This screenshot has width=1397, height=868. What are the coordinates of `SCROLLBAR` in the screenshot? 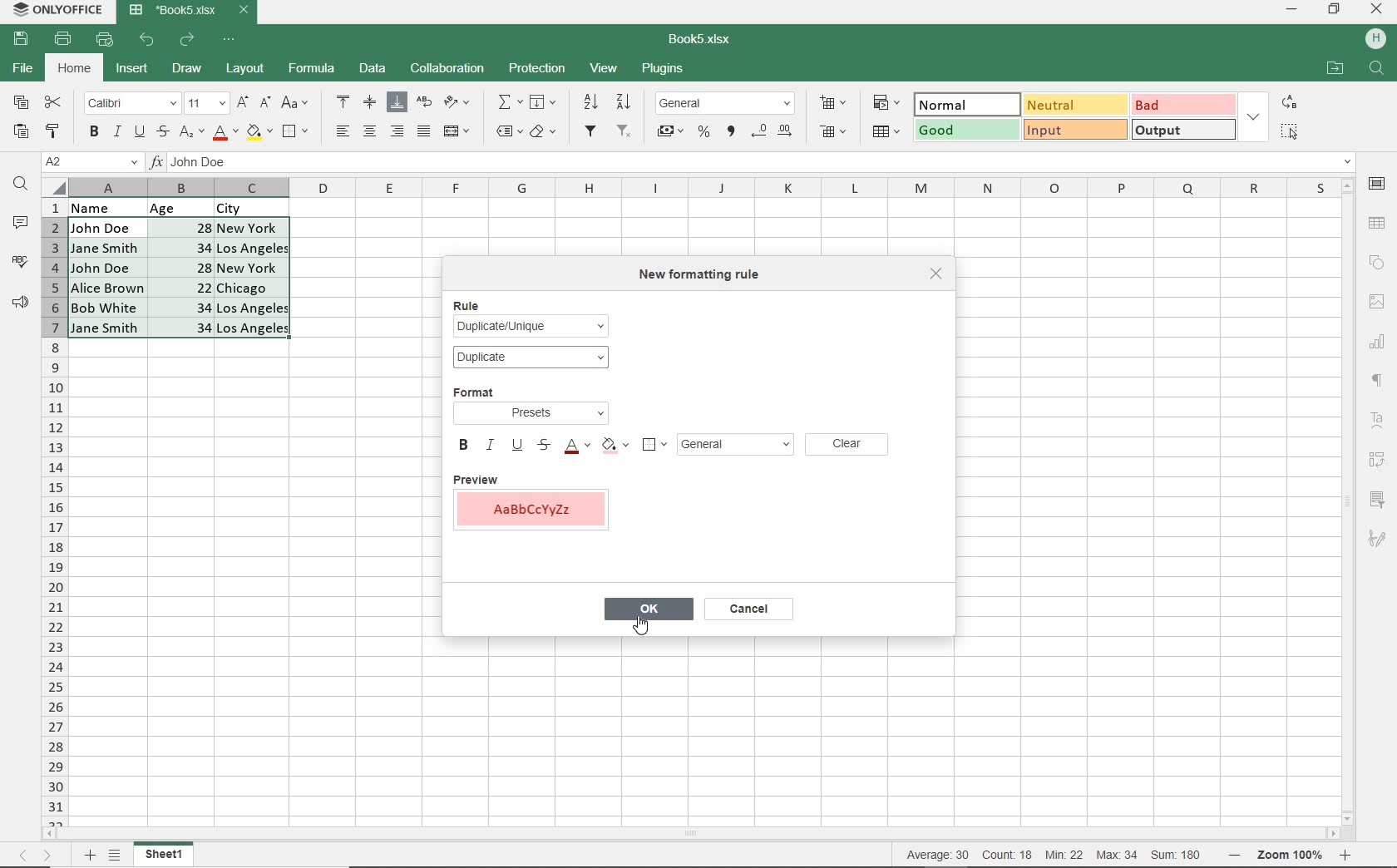 It's located at (1350, 501).